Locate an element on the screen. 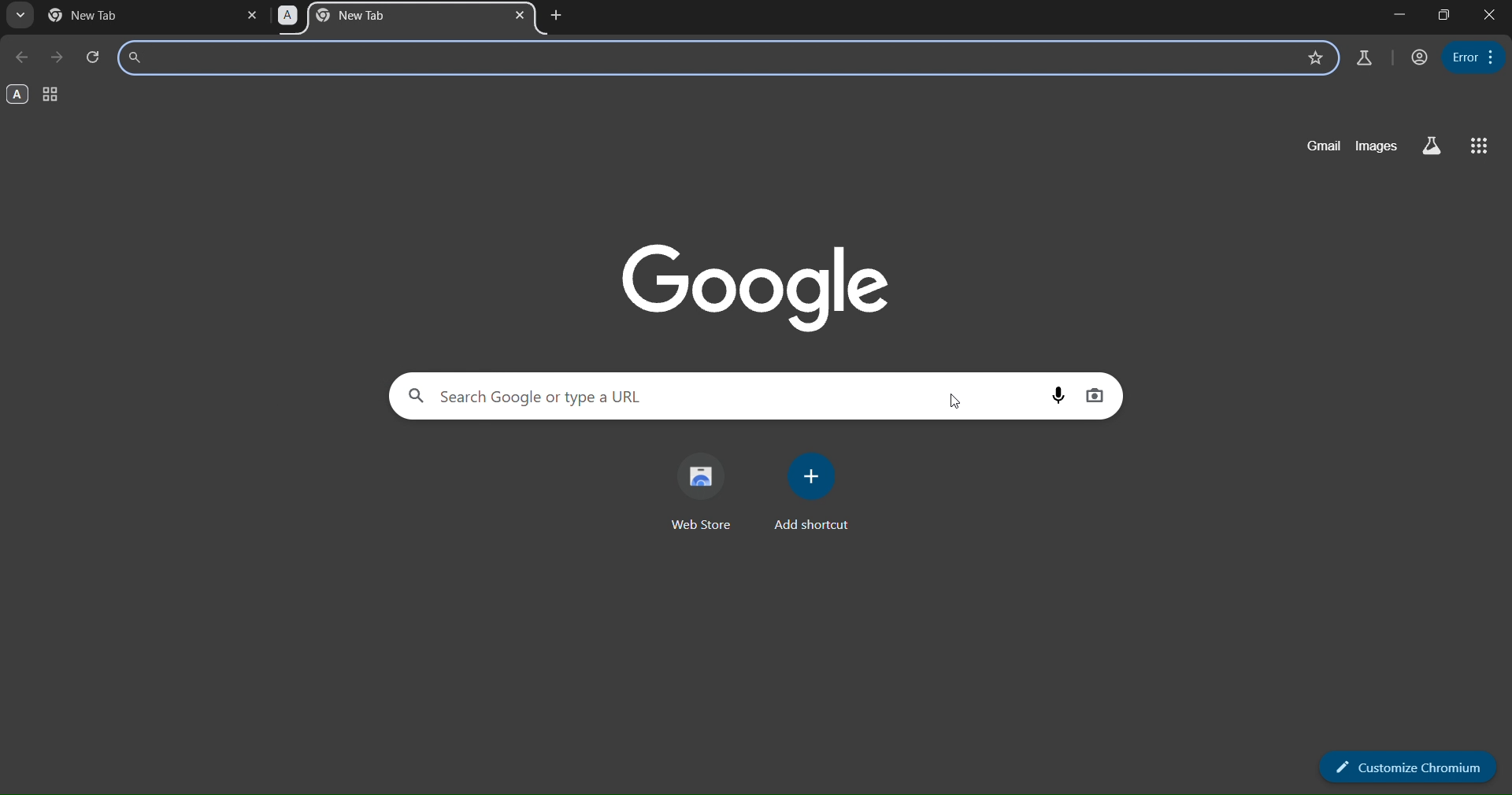  reload is located at coordinates (94, 54).